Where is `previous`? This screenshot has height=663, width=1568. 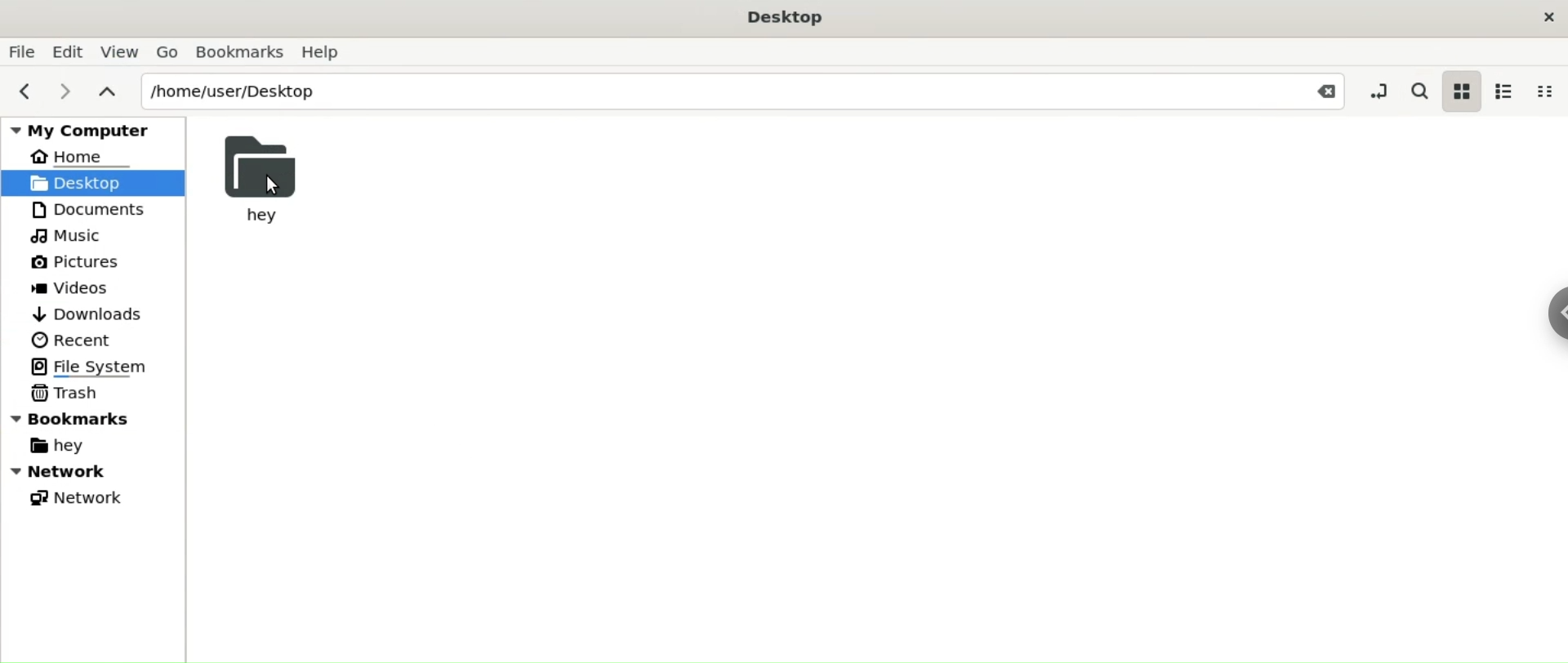
previous is located at coordinates (20, 92).